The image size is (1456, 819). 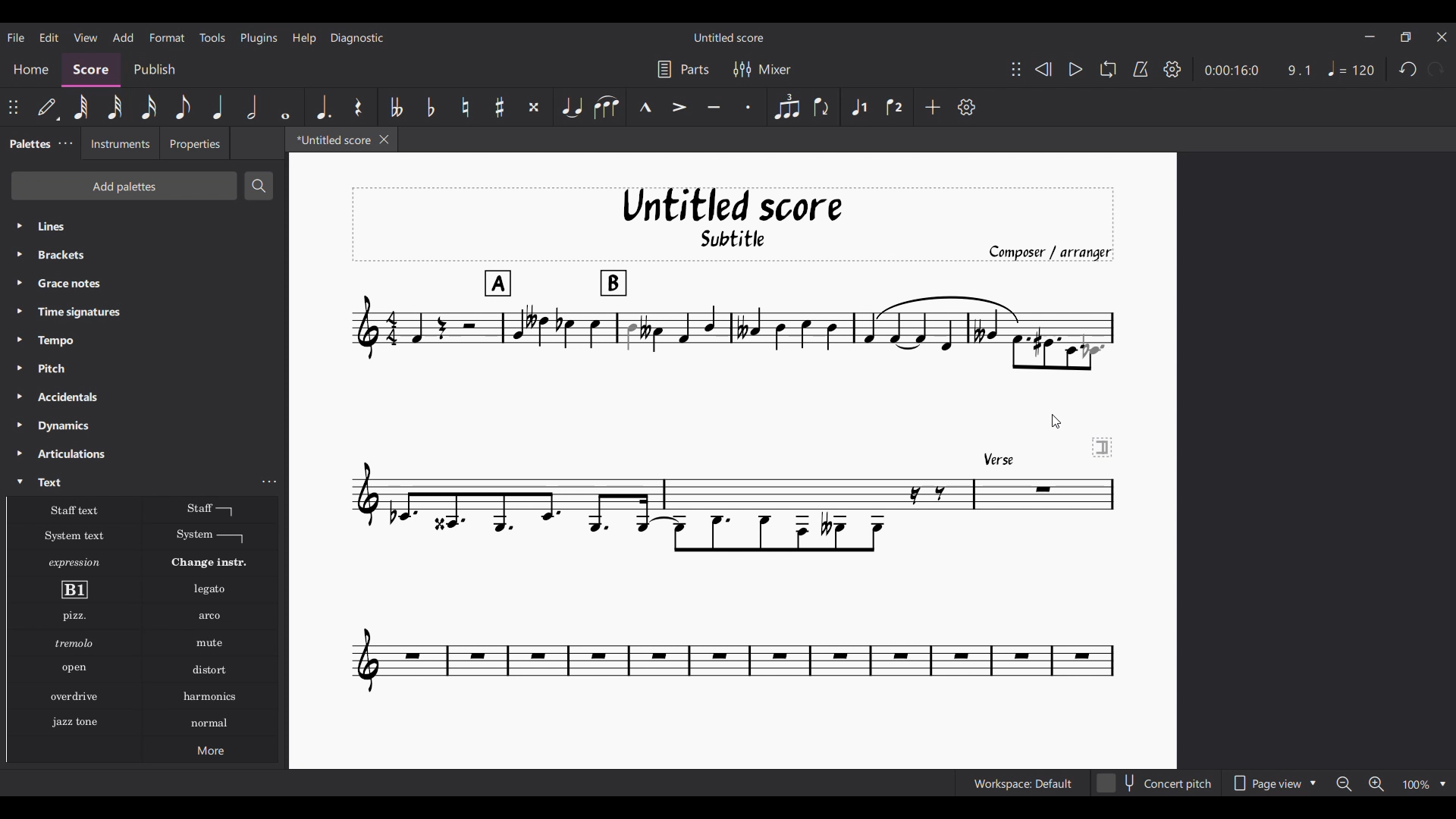 I want to click on System text, so click(x=74, y=536).